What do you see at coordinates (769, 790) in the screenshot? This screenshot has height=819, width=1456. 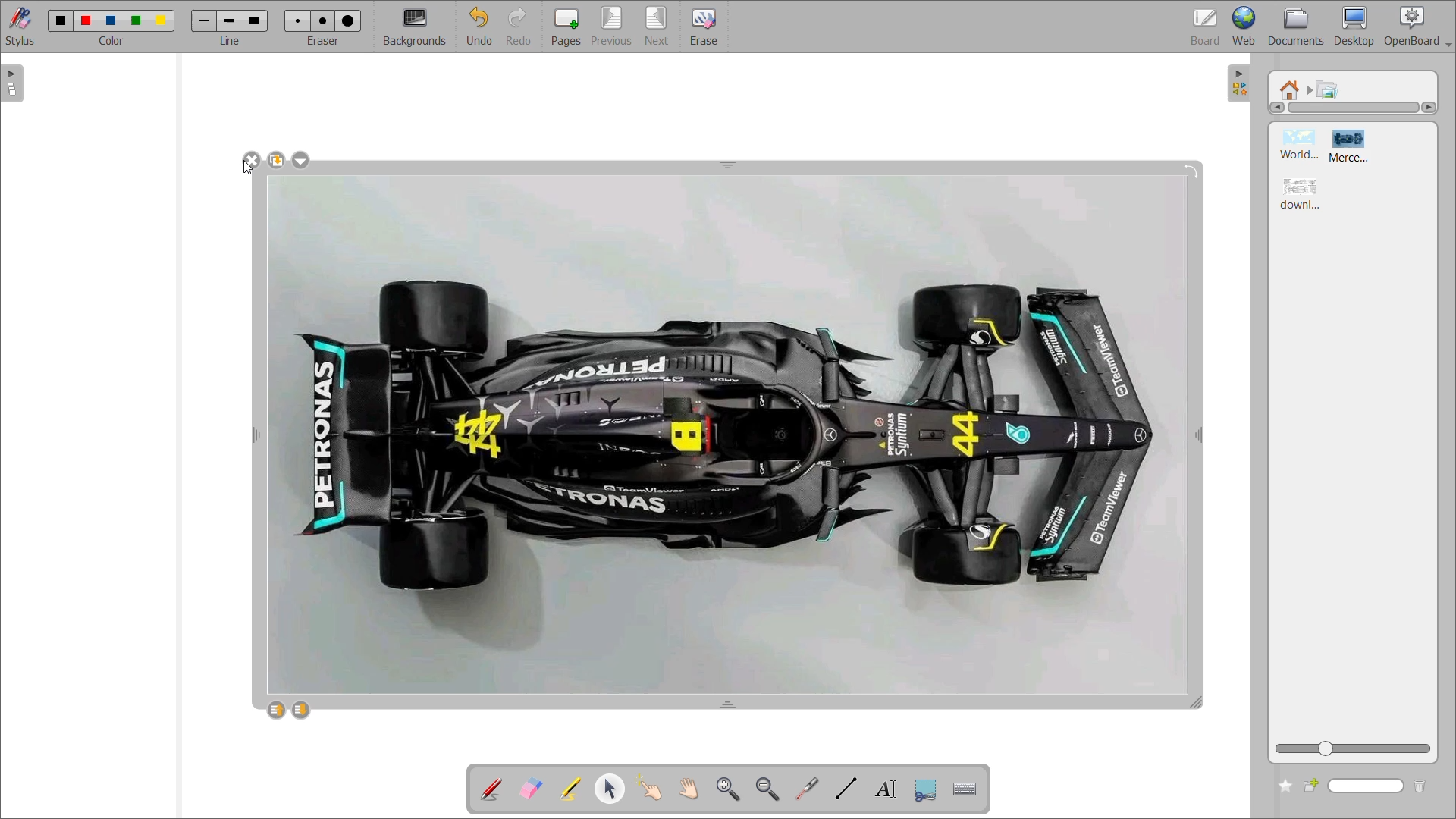 I see `zoom out` at bounding box center [769, 790].